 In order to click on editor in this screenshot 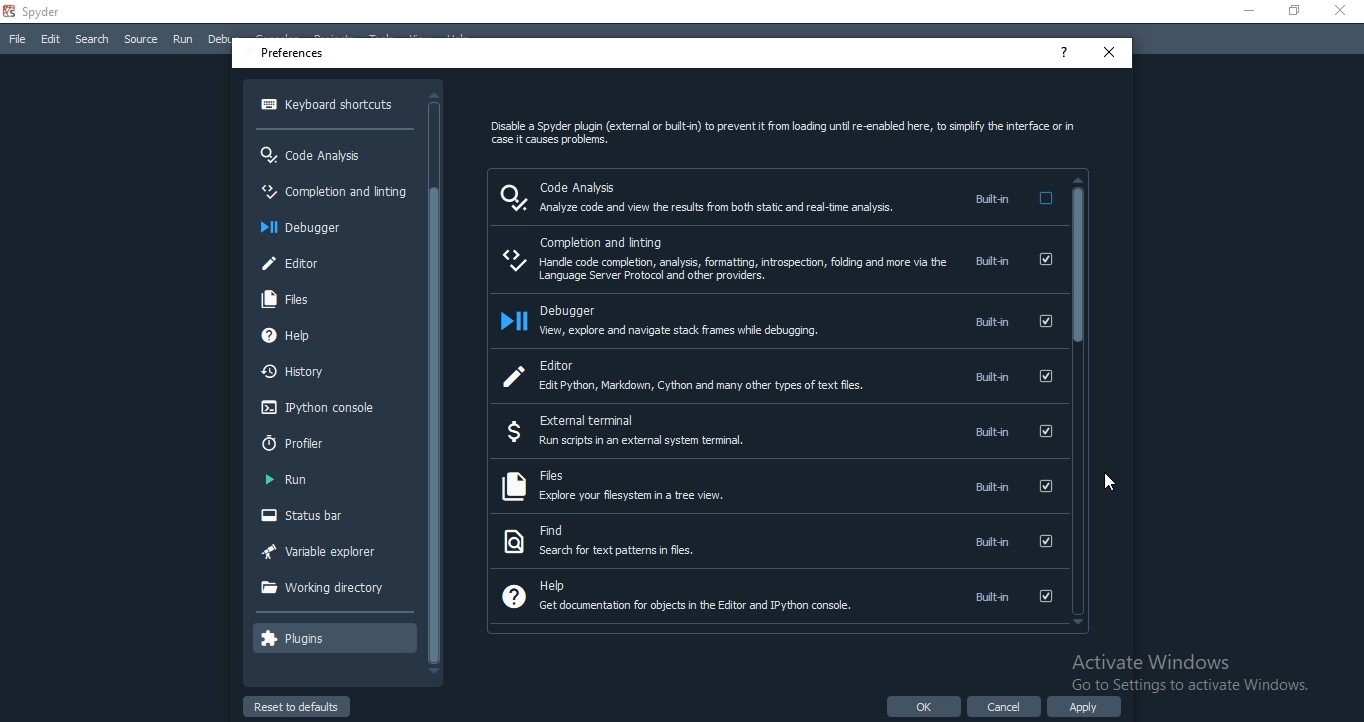, I will do `click(781, 373)`.